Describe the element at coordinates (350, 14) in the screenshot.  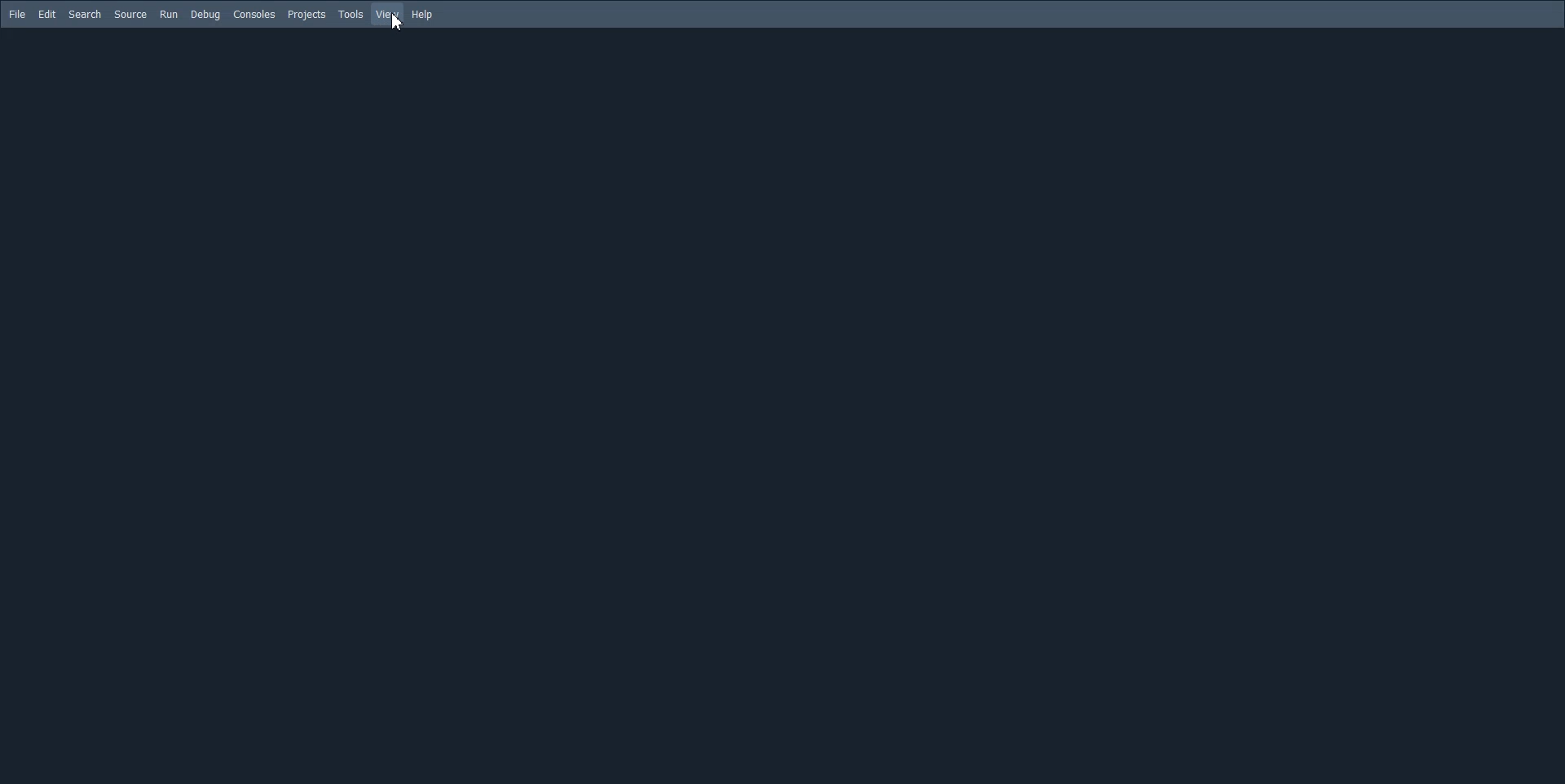
I see `Tools` at that location.